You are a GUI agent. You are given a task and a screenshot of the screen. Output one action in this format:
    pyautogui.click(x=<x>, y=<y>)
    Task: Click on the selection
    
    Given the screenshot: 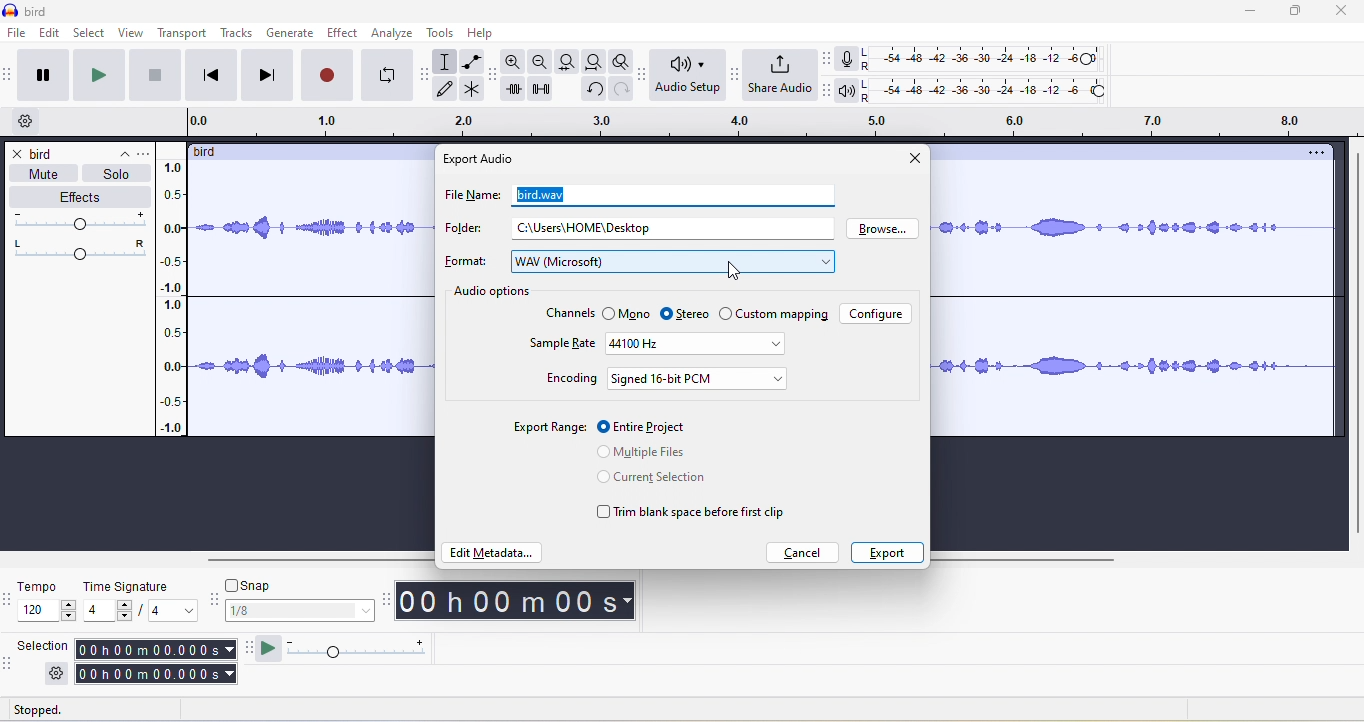 What is the action you would take?
    pyautogui.click(x=43, y=644)
    